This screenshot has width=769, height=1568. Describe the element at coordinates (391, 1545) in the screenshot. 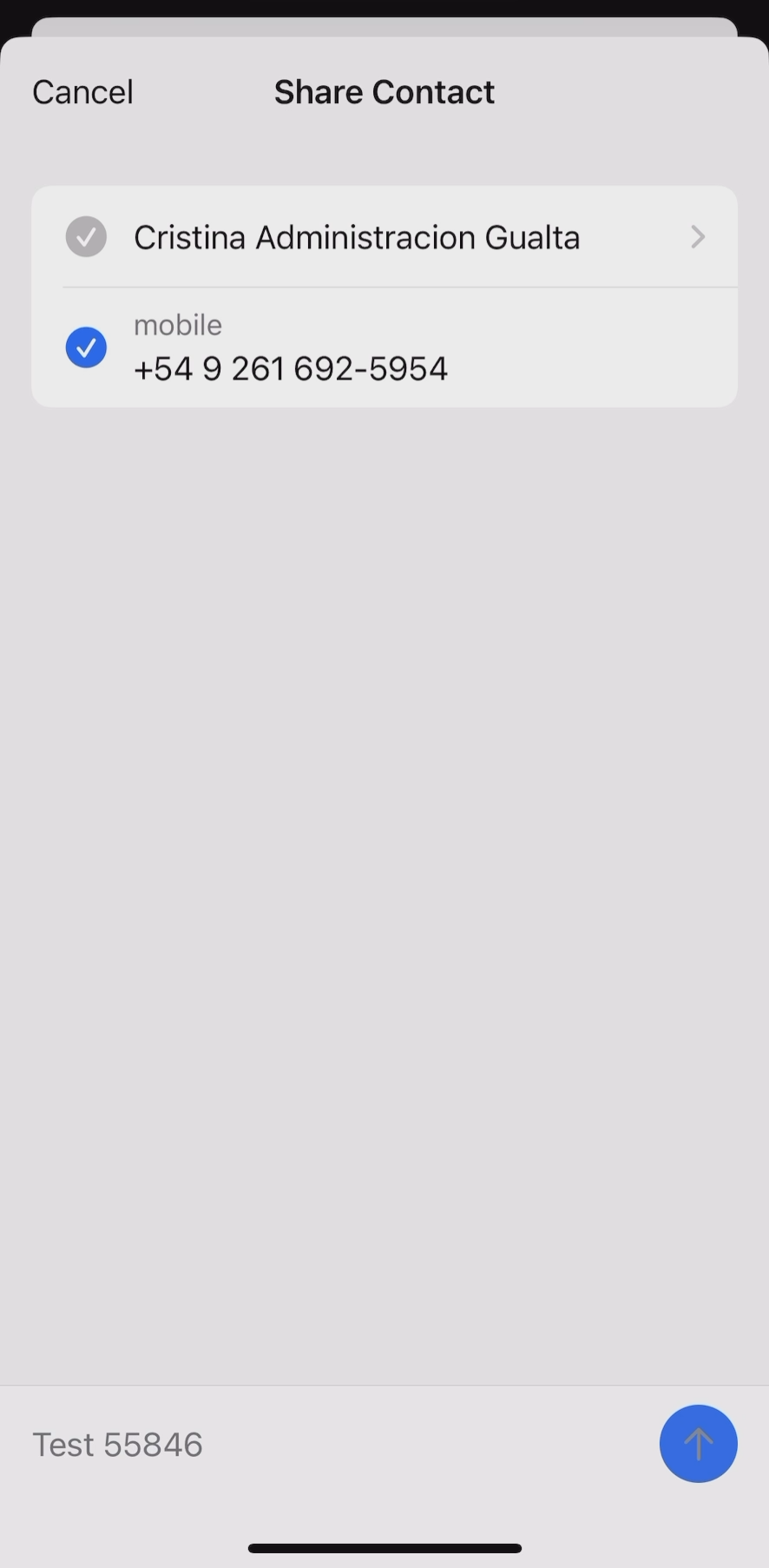

I see `bar` at that location.